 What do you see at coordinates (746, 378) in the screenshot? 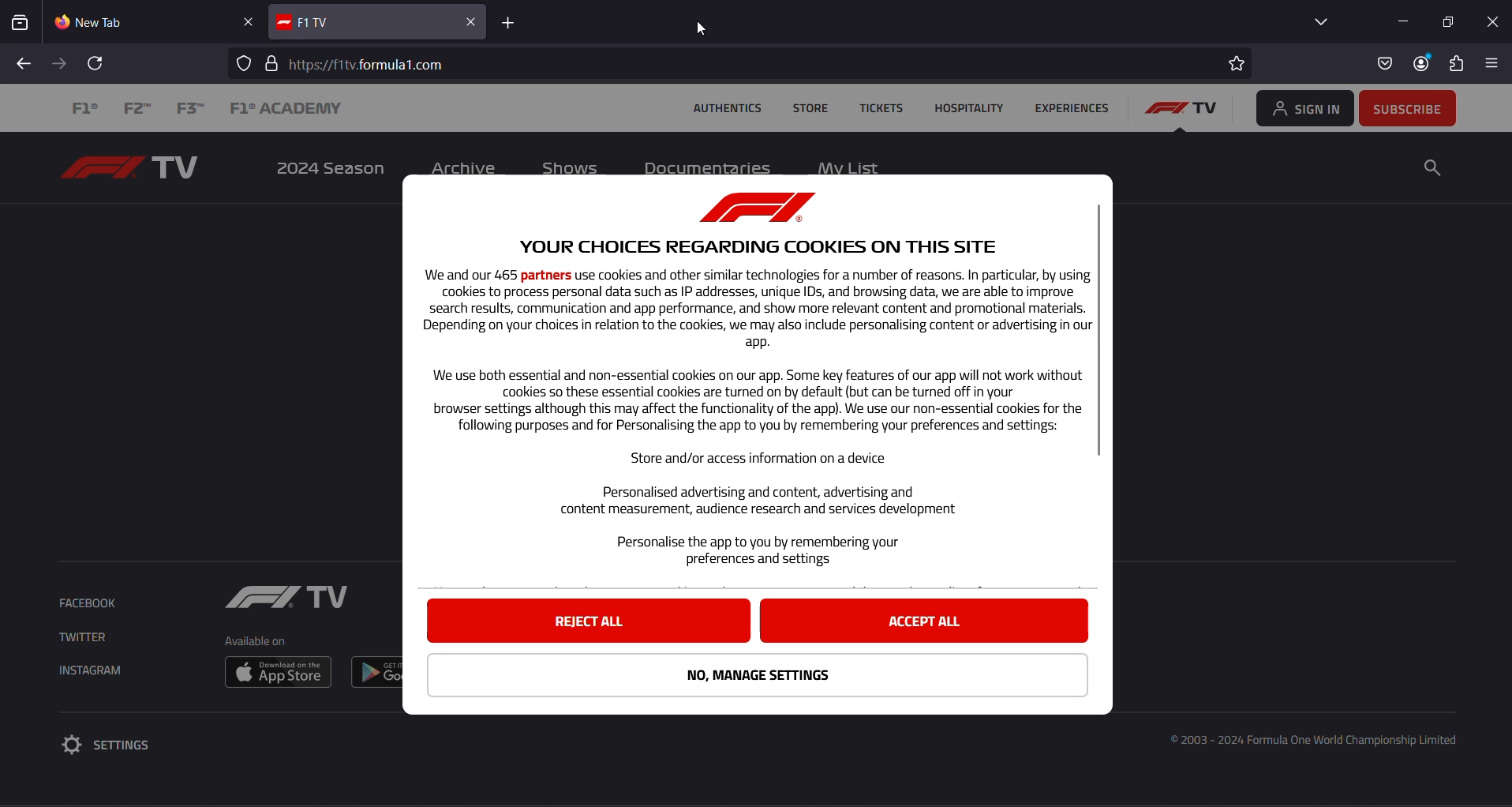
I see `text1` at bounding box center [746, 378].